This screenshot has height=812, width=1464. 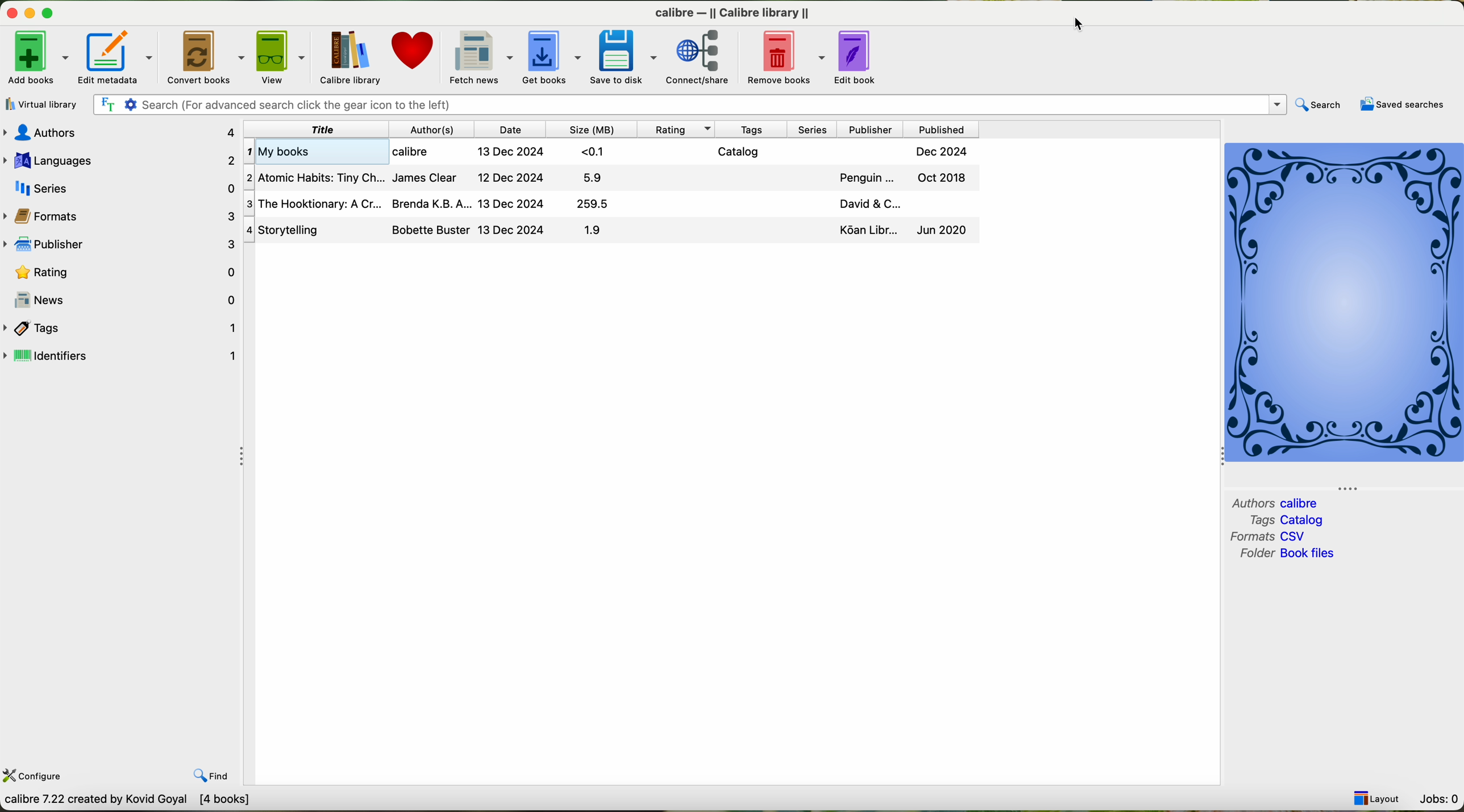 I want to click on search, so click(x=1319, y=106).